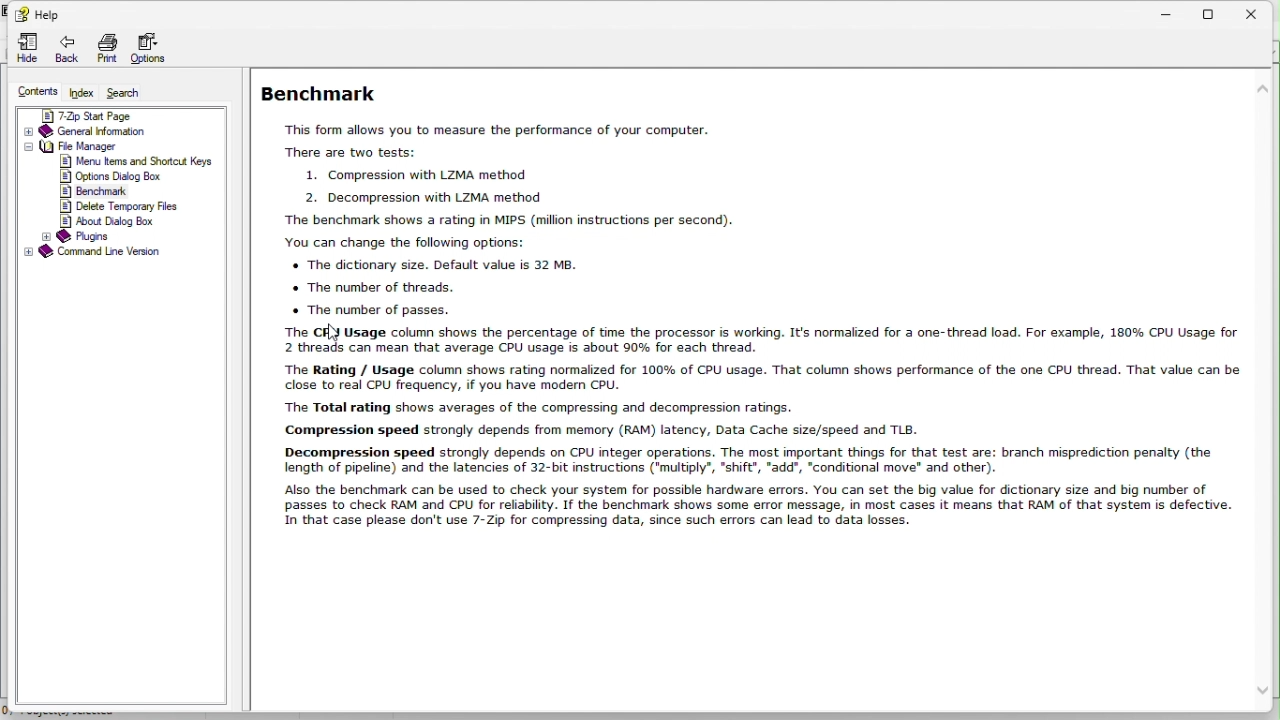 The image size is (1280, 720). What do you see at coordinates (67, 46) in the screenshot?
I see `Back` at bounding box center [67, 46].